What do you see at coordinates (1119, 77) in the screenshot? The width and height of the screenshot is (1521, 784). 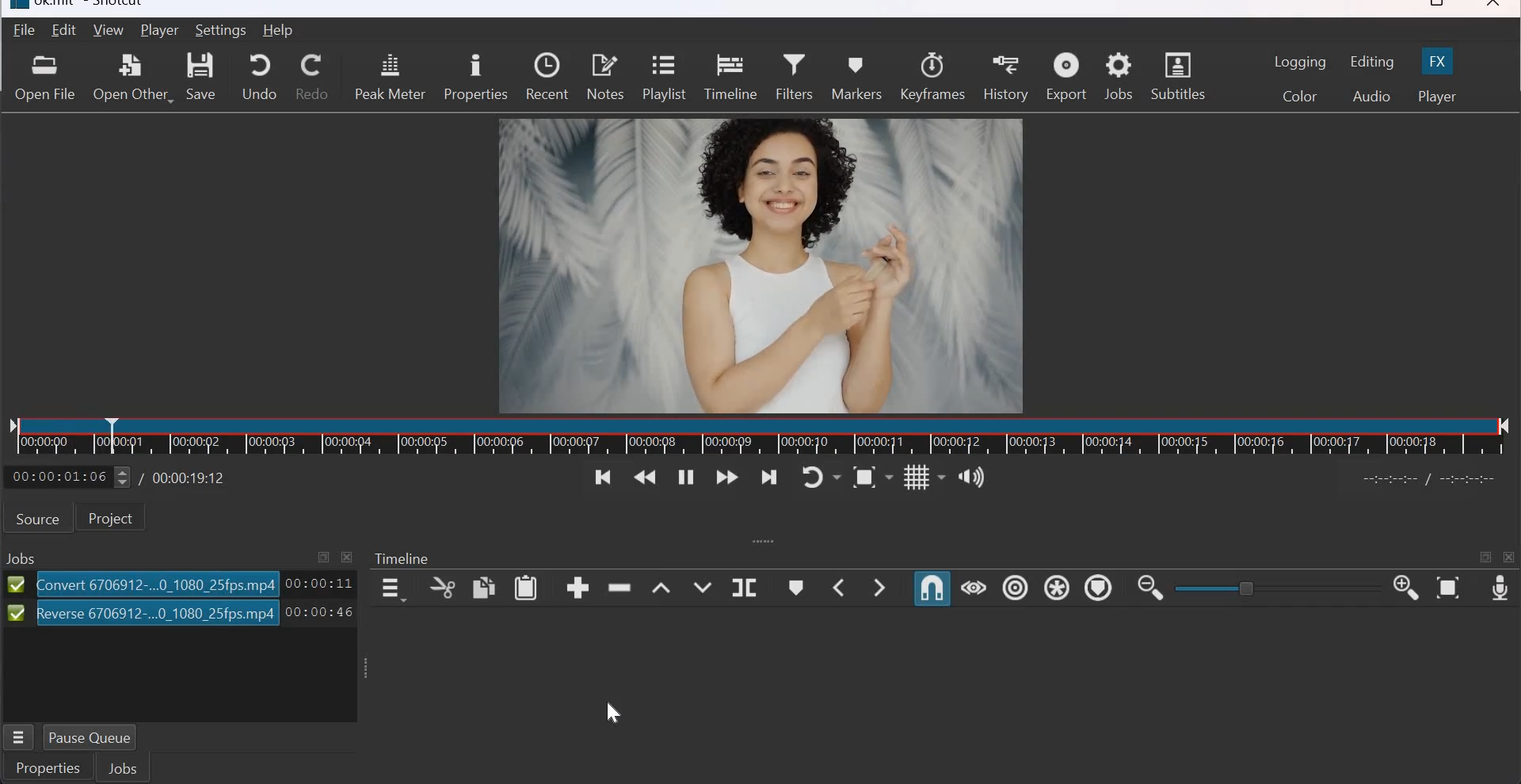 I see `Jobs` at bounding box center [1119, 77].